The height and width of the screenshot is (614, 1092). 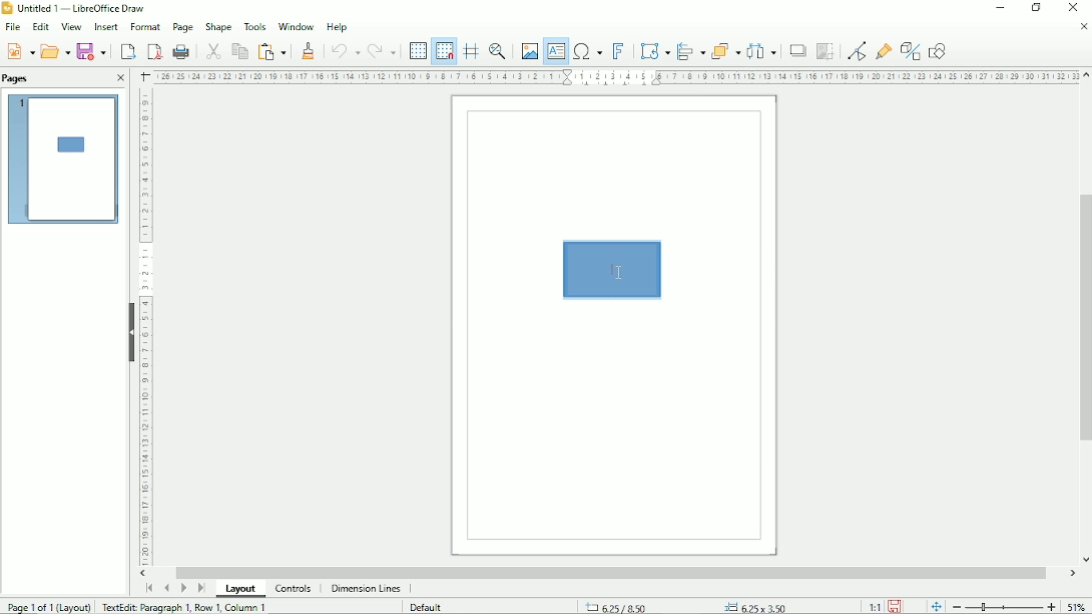 What do you see at coordinates (254, 26) in the screenshot?
I see `Tools` at bounding box center [254, 26].